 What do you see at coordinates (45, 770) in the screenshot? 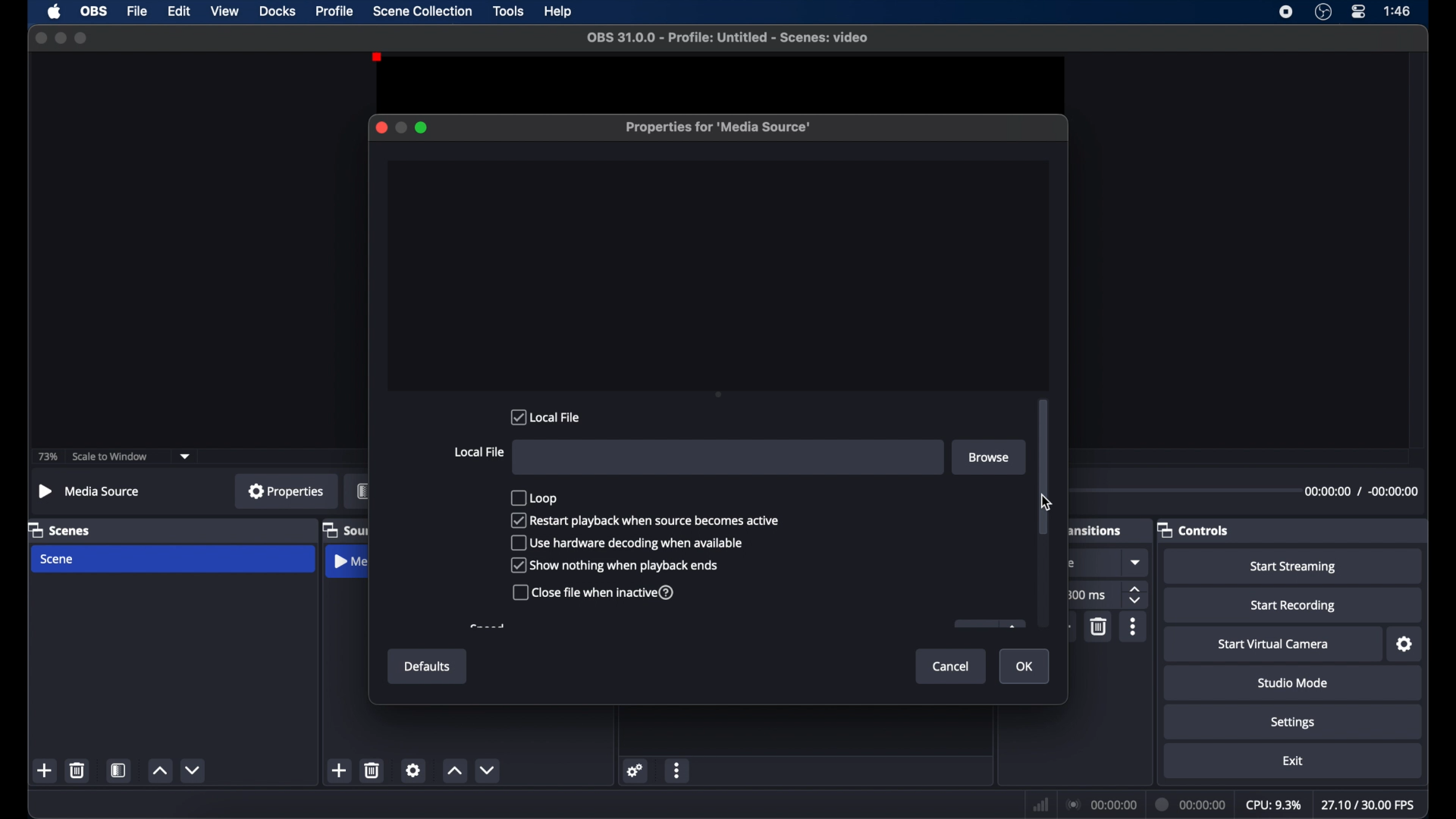
I see `add` at bounding box center [45, 770].